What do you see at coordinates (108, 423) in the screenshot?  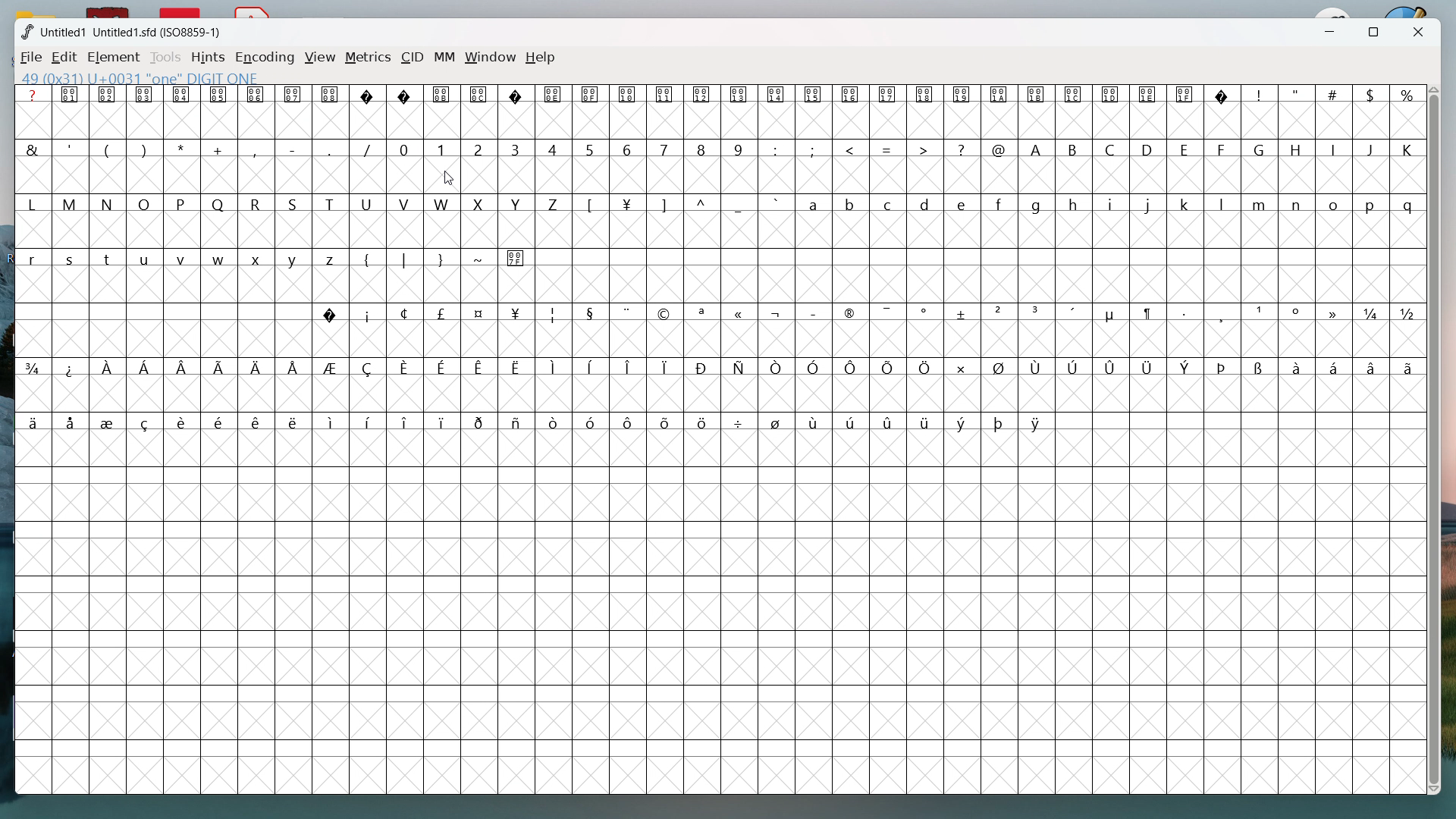 I see `symbol` at bounding box center [108, 423].